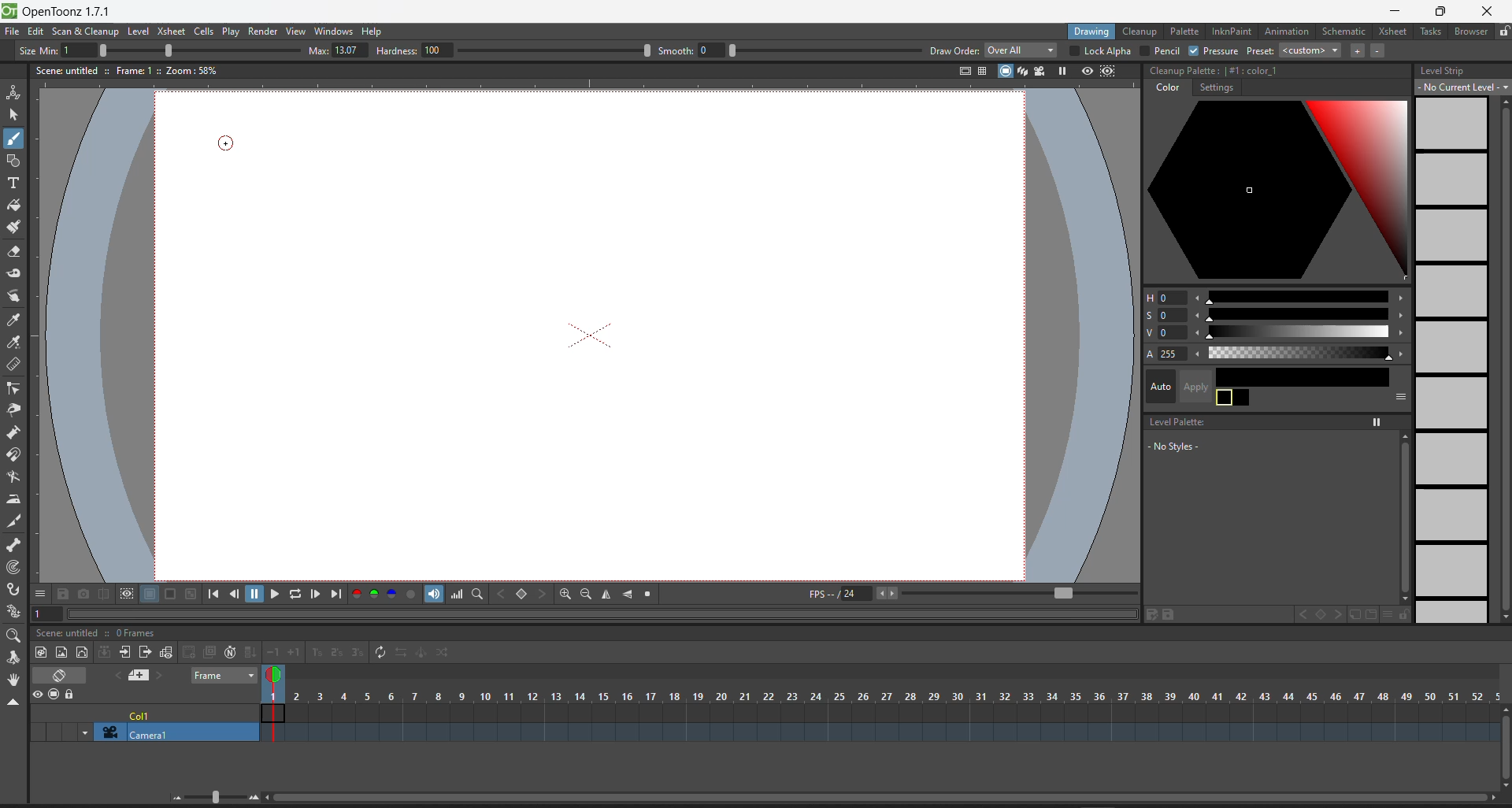 The image size is (1512, 808). Describe the element at coordinates (100, 632) in the screenshot. I see `title and fps preview` at that location.